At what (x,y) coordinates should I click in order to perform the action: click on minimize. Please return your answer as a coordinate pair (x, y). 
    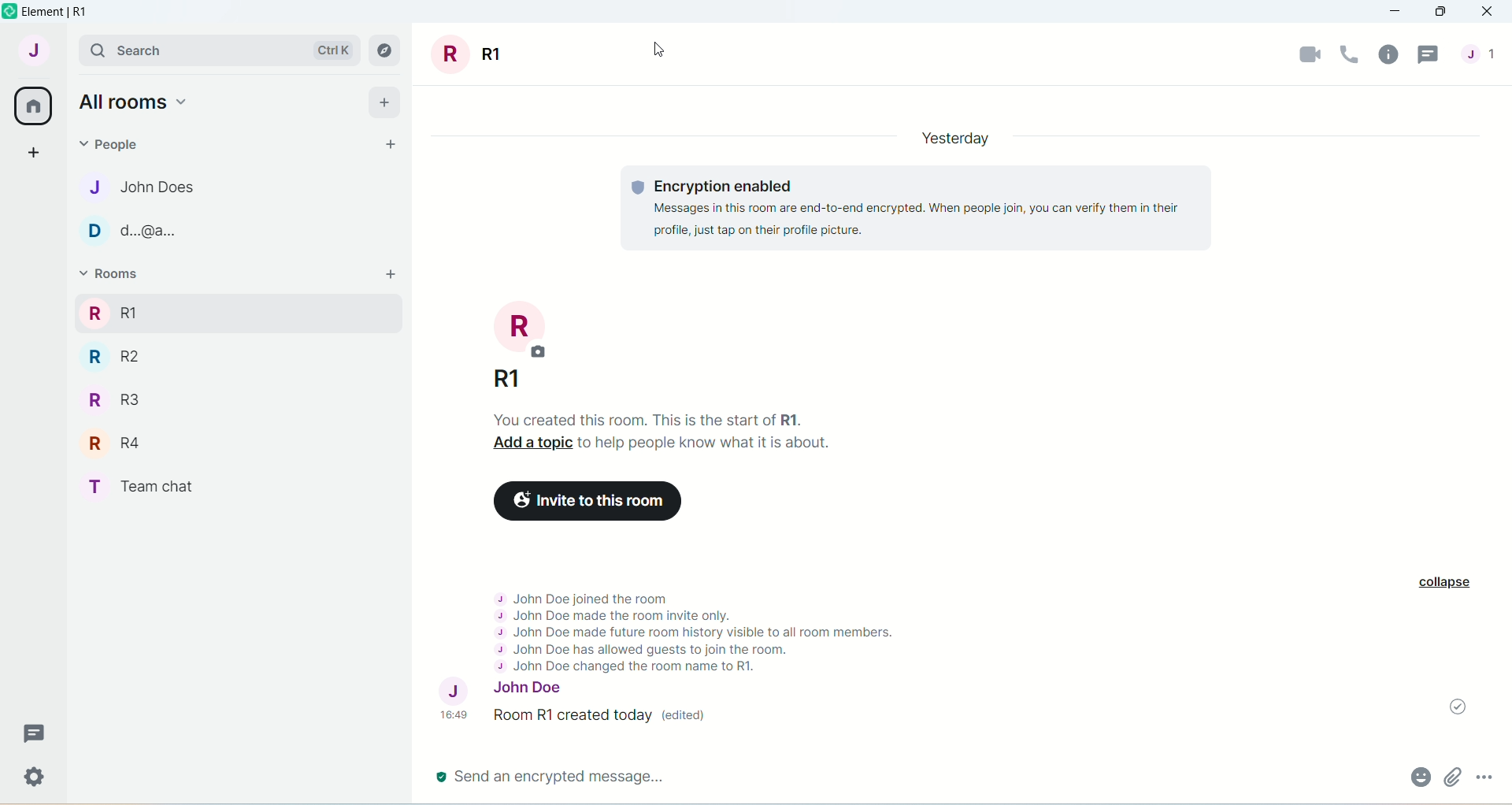
    Looking at the image, I should click on (1398, 12).